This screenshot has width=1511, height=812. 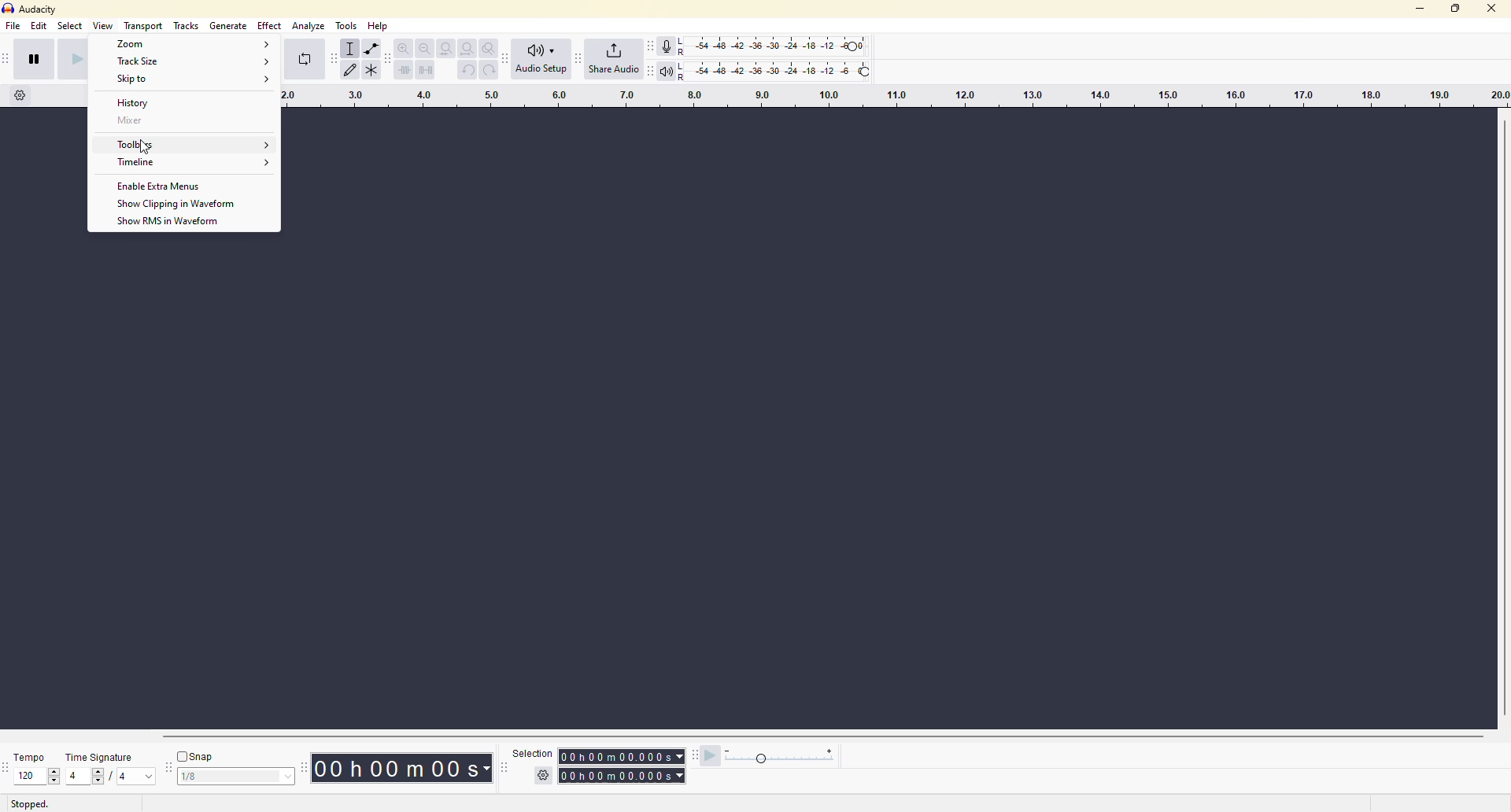 I want to click on trim outside selection, so click(x=405, y=72).